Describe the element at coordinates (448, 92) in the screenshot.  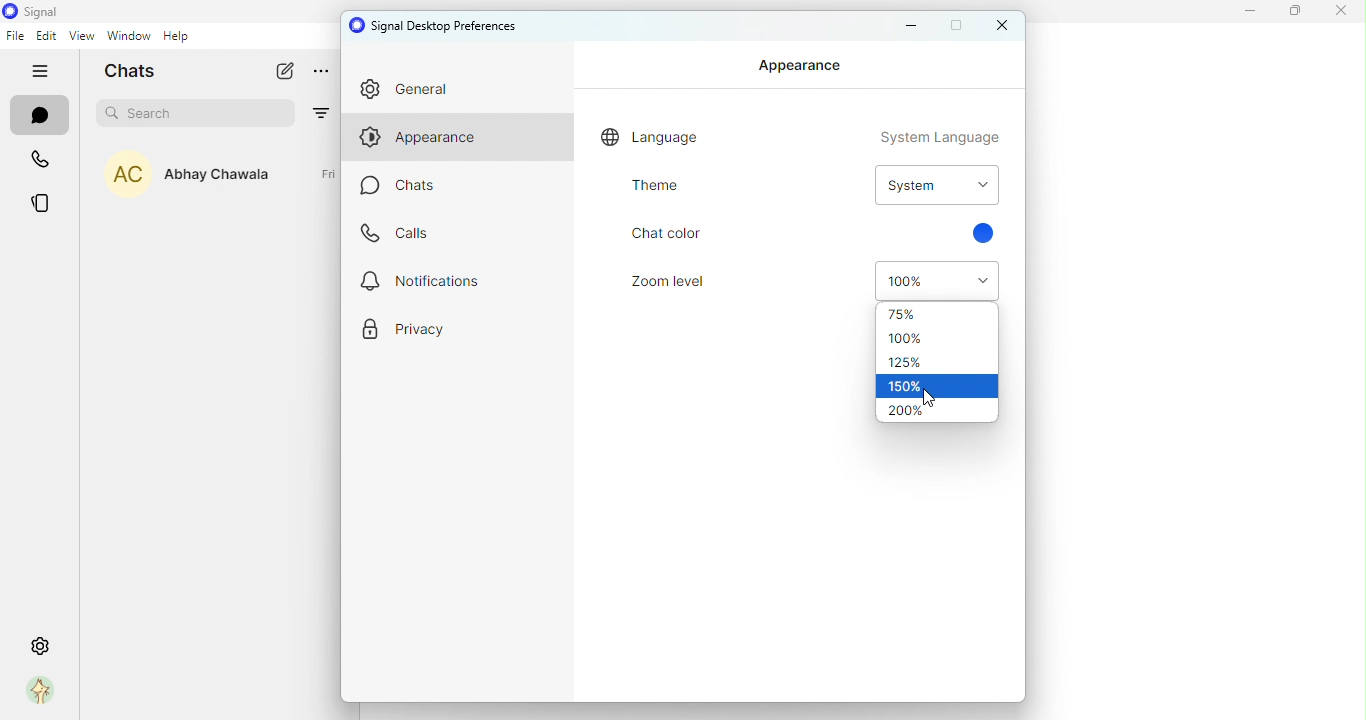
I see `general` at that location.